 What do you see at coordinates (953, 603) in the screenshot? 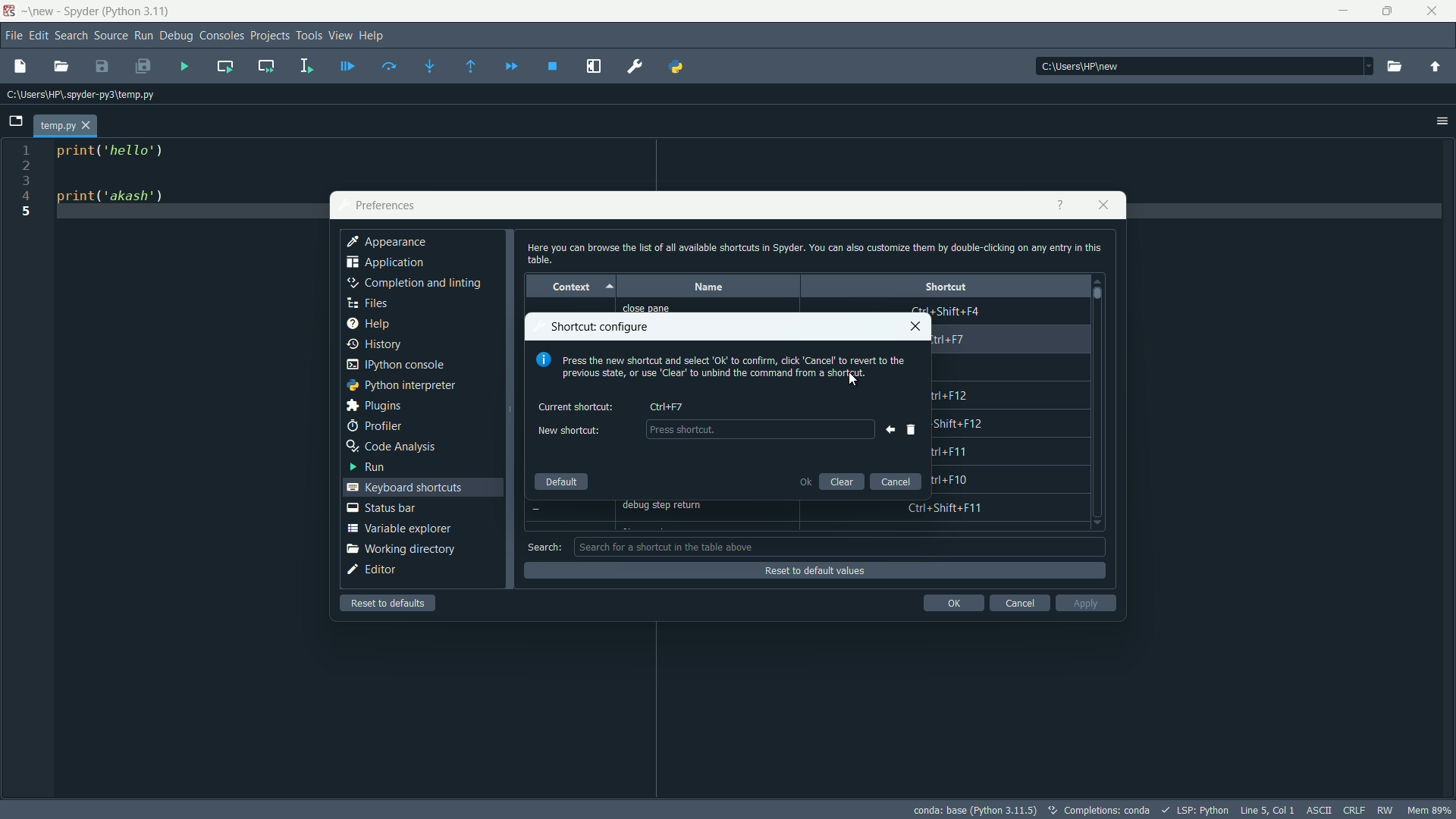
I see `ok` at bounding box center [953, 603].